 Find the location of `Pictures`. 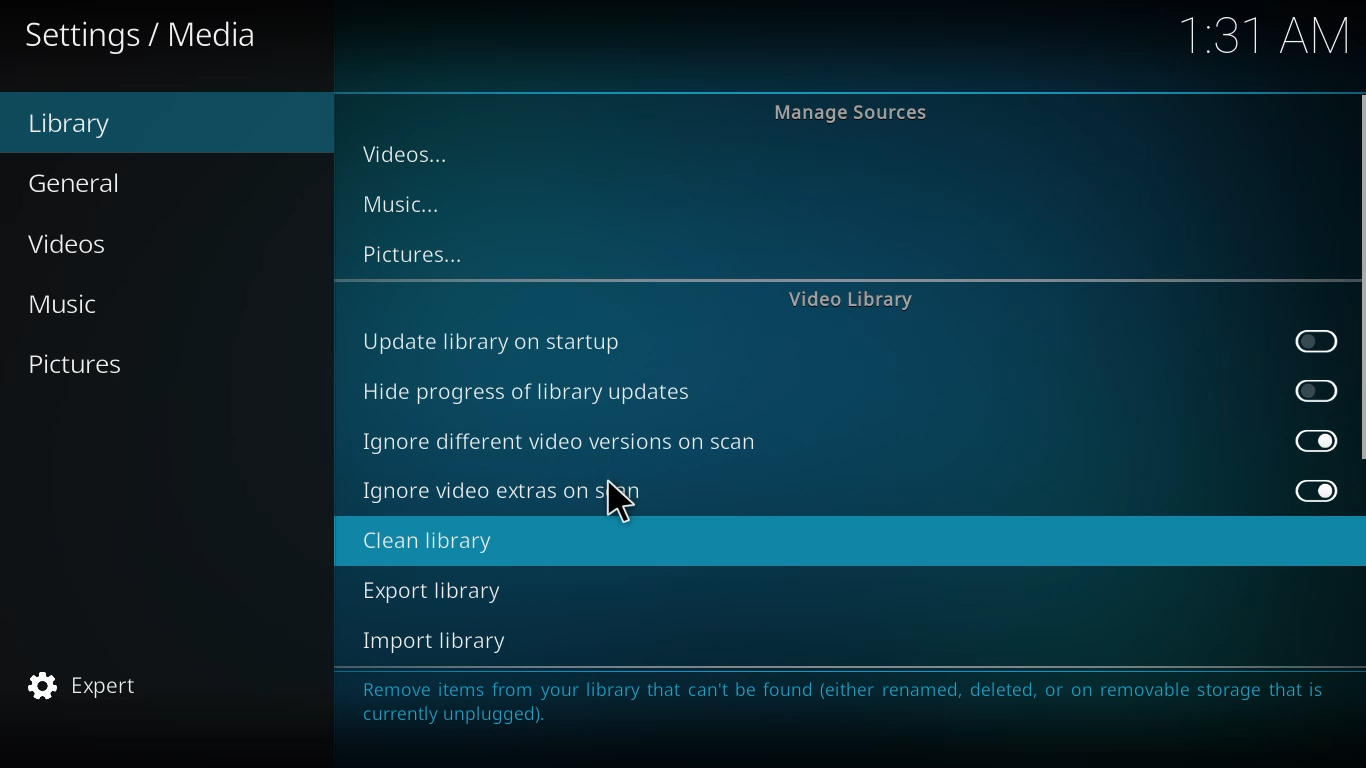

Pictures is located at coordinates (83, 370).